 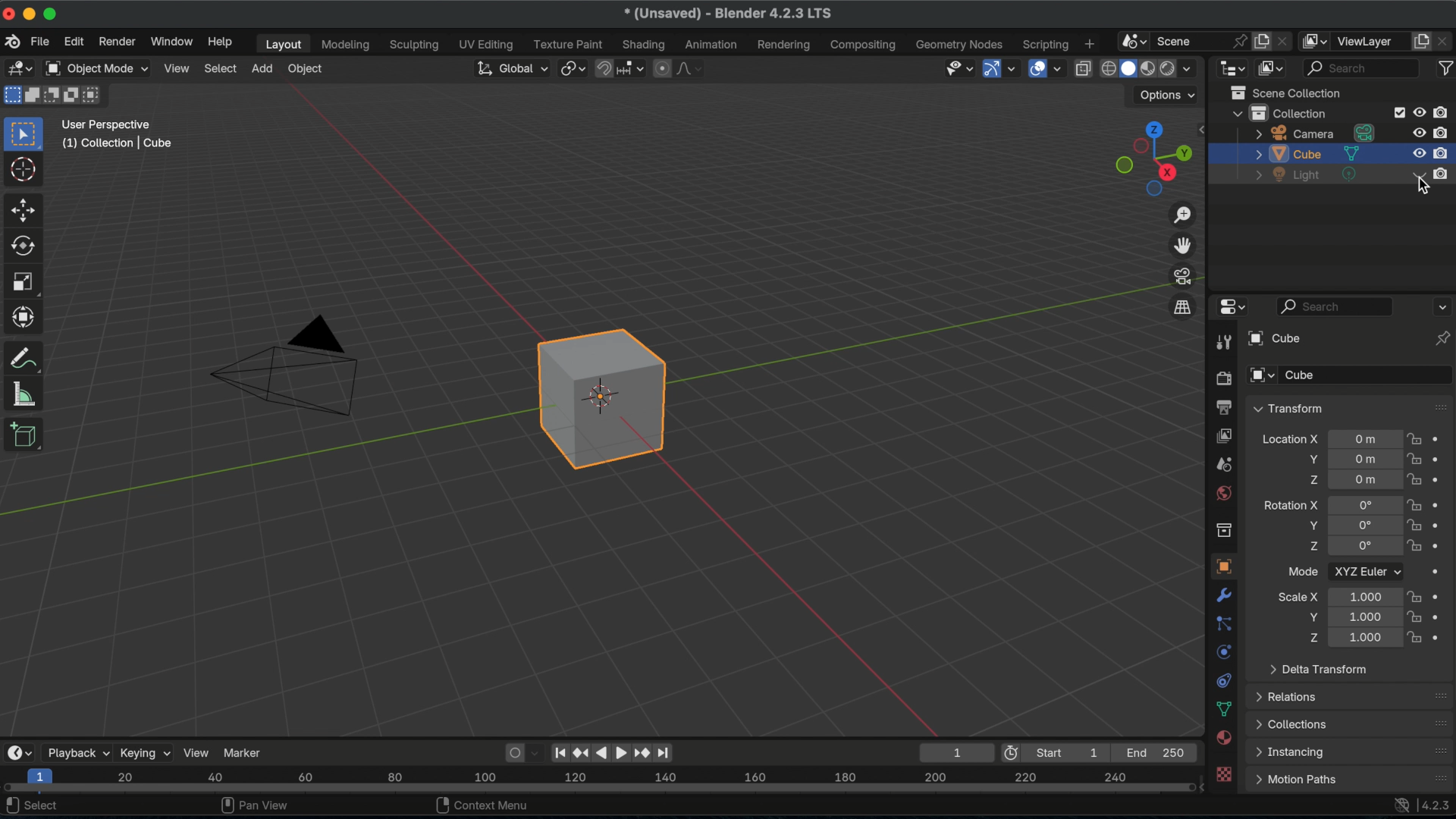 What do you see at coordinates (680, 67) in the screenshot?
I see `proportional editing falloff` at bounding box center [680, 67].